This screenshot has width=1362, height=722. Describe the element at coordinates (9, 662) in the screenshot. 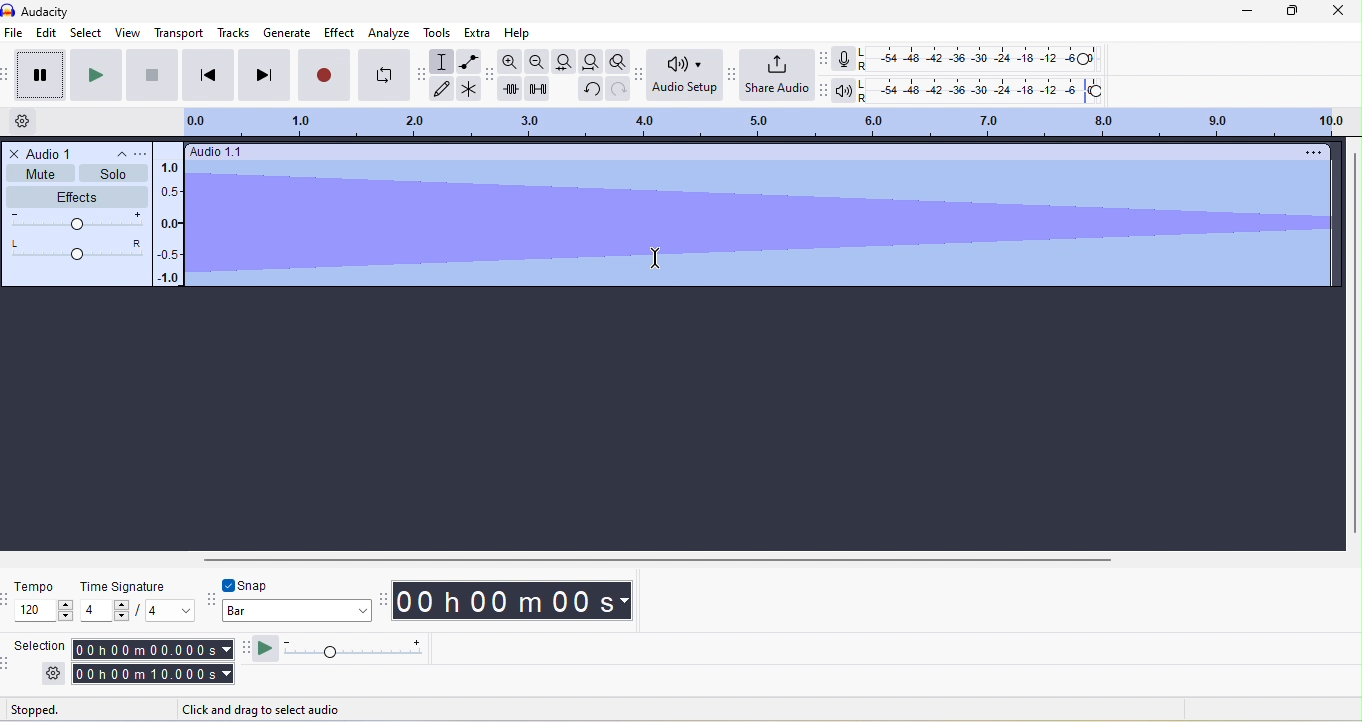

I see `audacity selection toolbar` at that location.